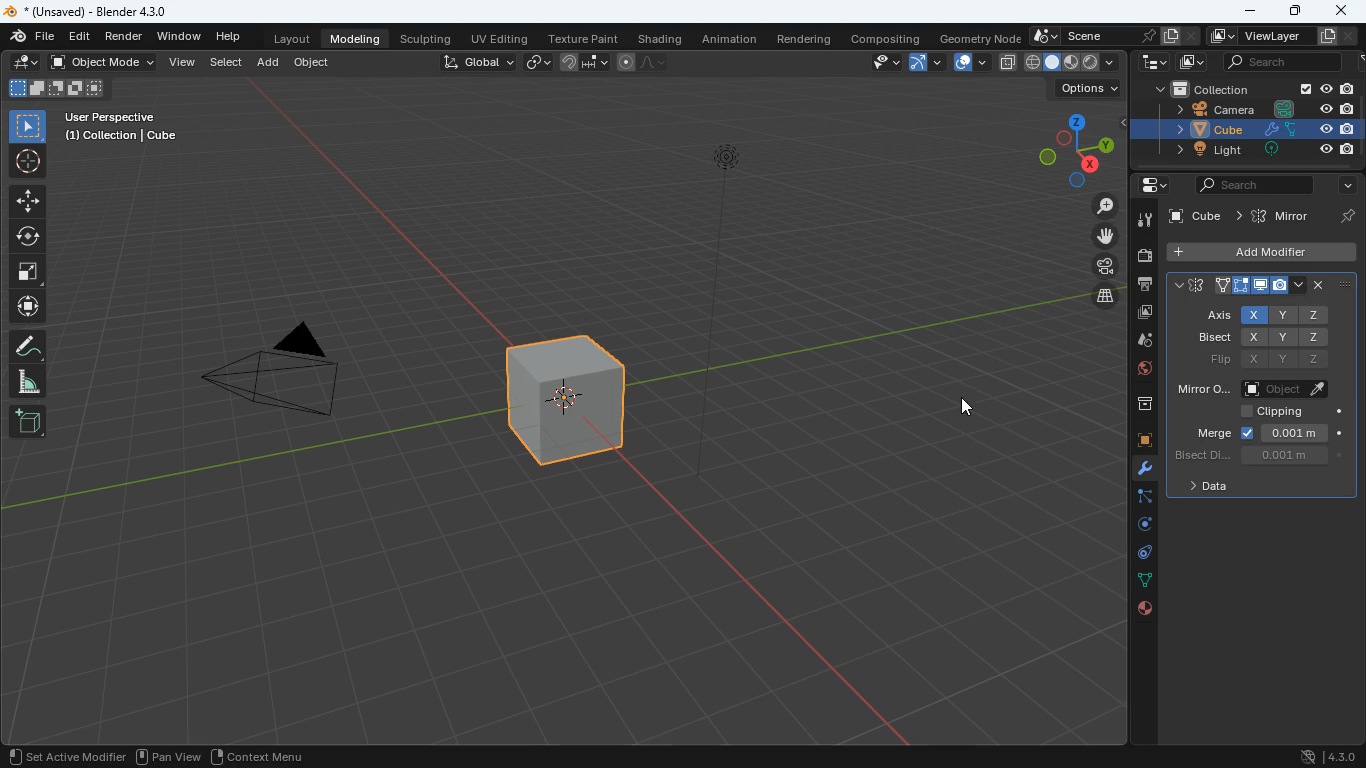 The height and width of the screenshot is (768, 1366). What do you see at coordinates (505, 39) in the screenshot?
I see `uv editing` at bounding box center [505, 39].